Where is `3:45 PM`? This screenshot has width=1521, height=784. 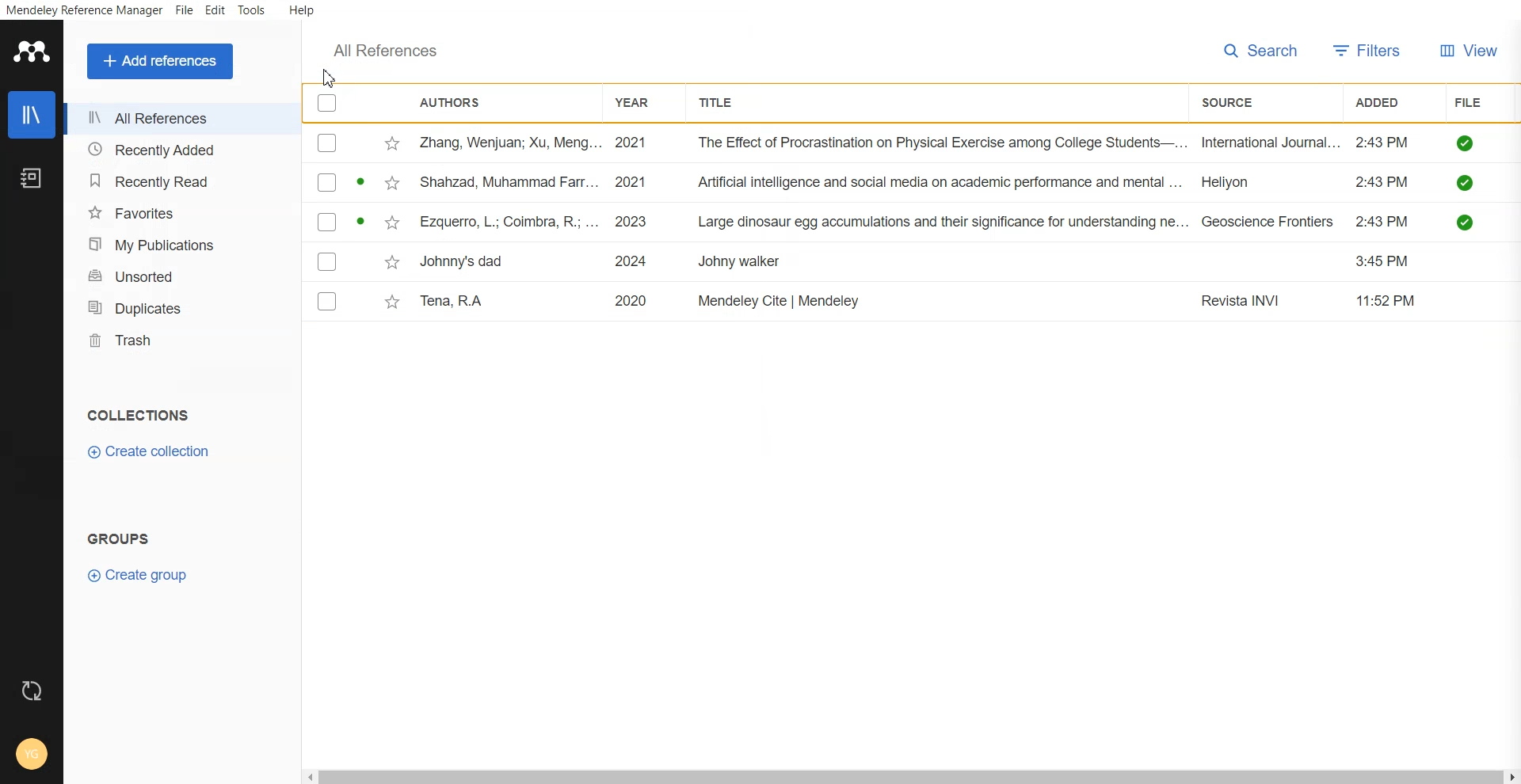 3:45 PM is located at coordinates (1386, 261).